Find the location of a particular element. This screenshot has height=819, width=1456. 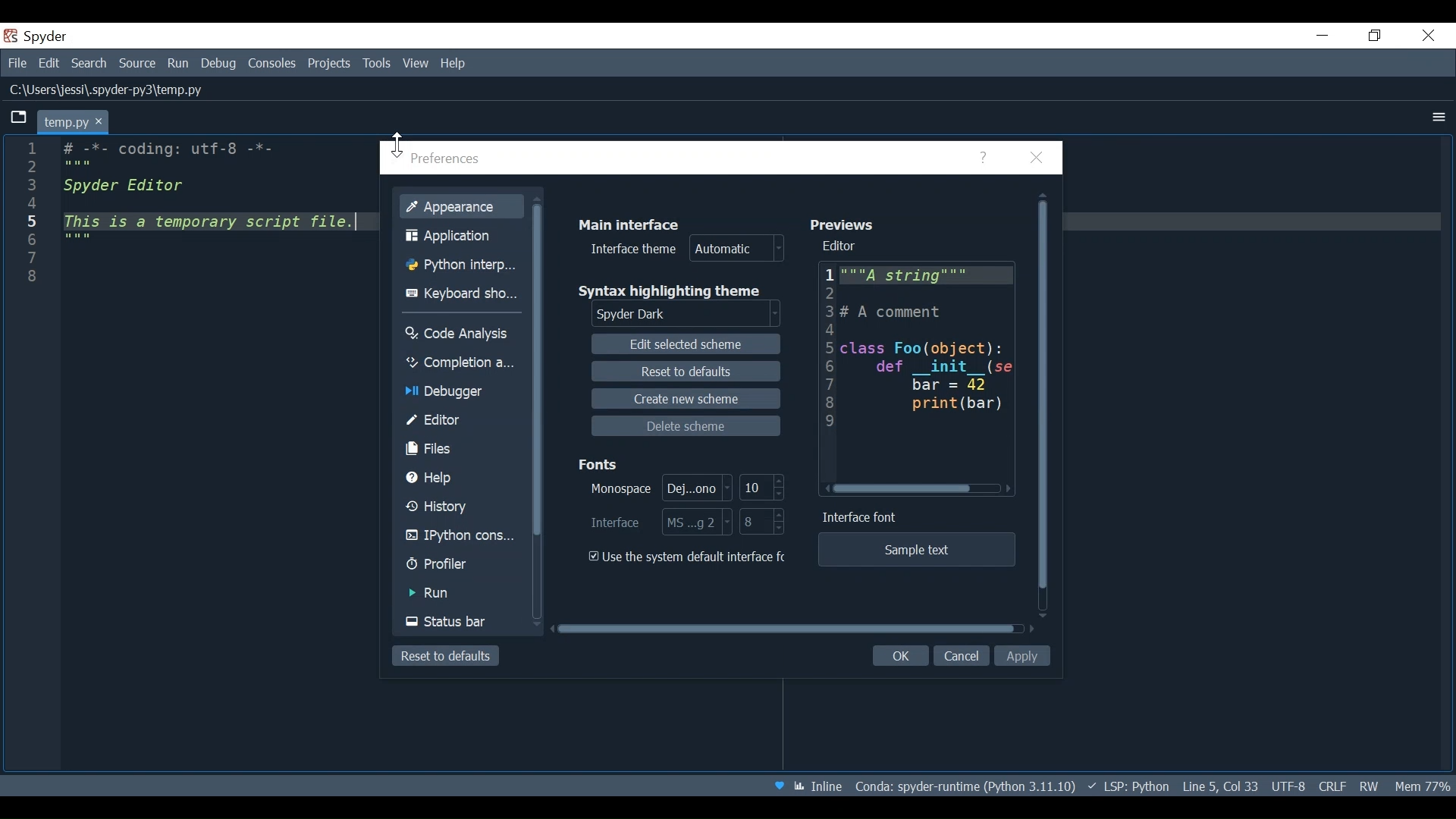

Interface Font is located at coordinates (862, 517).